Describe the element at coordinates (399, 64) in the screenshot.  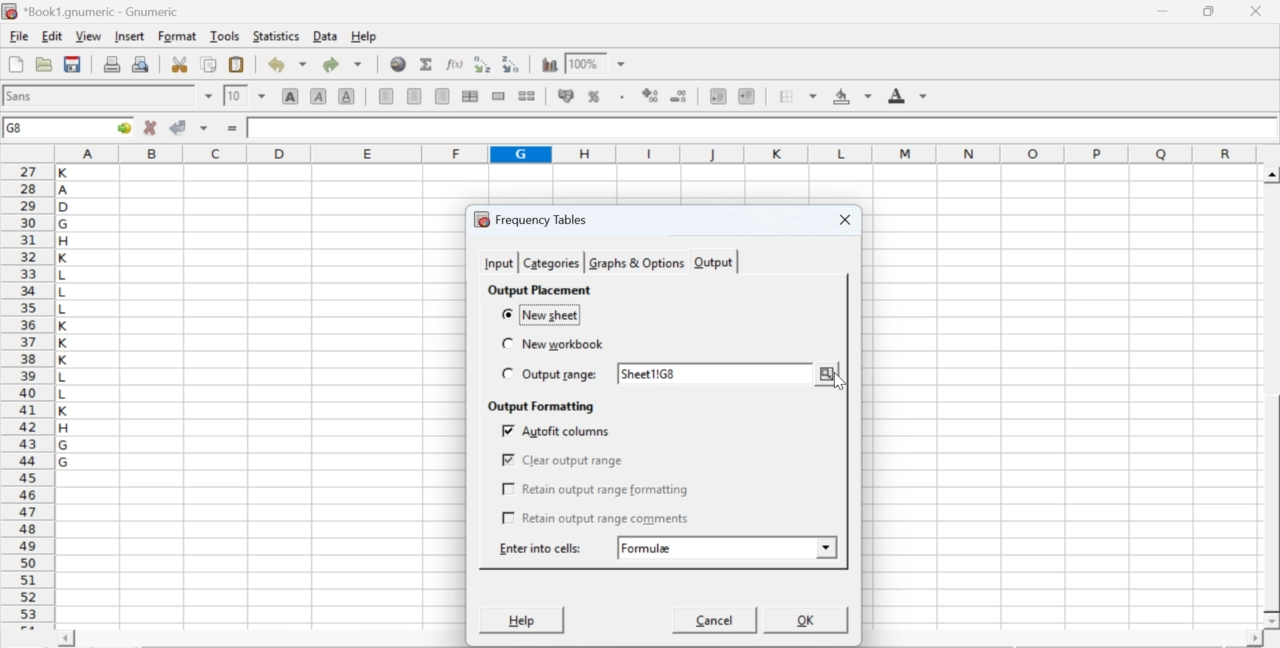
I see `insert hyperlink` at that location.